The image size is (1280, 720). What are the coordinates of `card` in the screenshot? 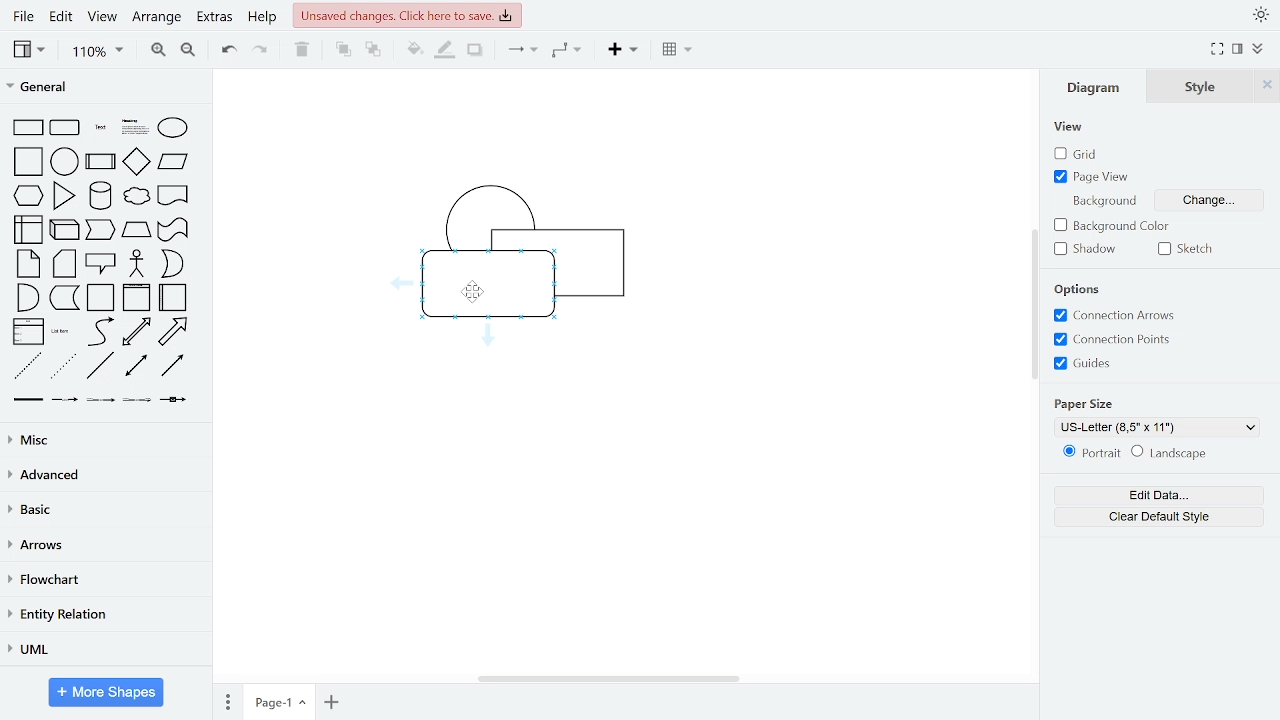 It's located at (66, 263).